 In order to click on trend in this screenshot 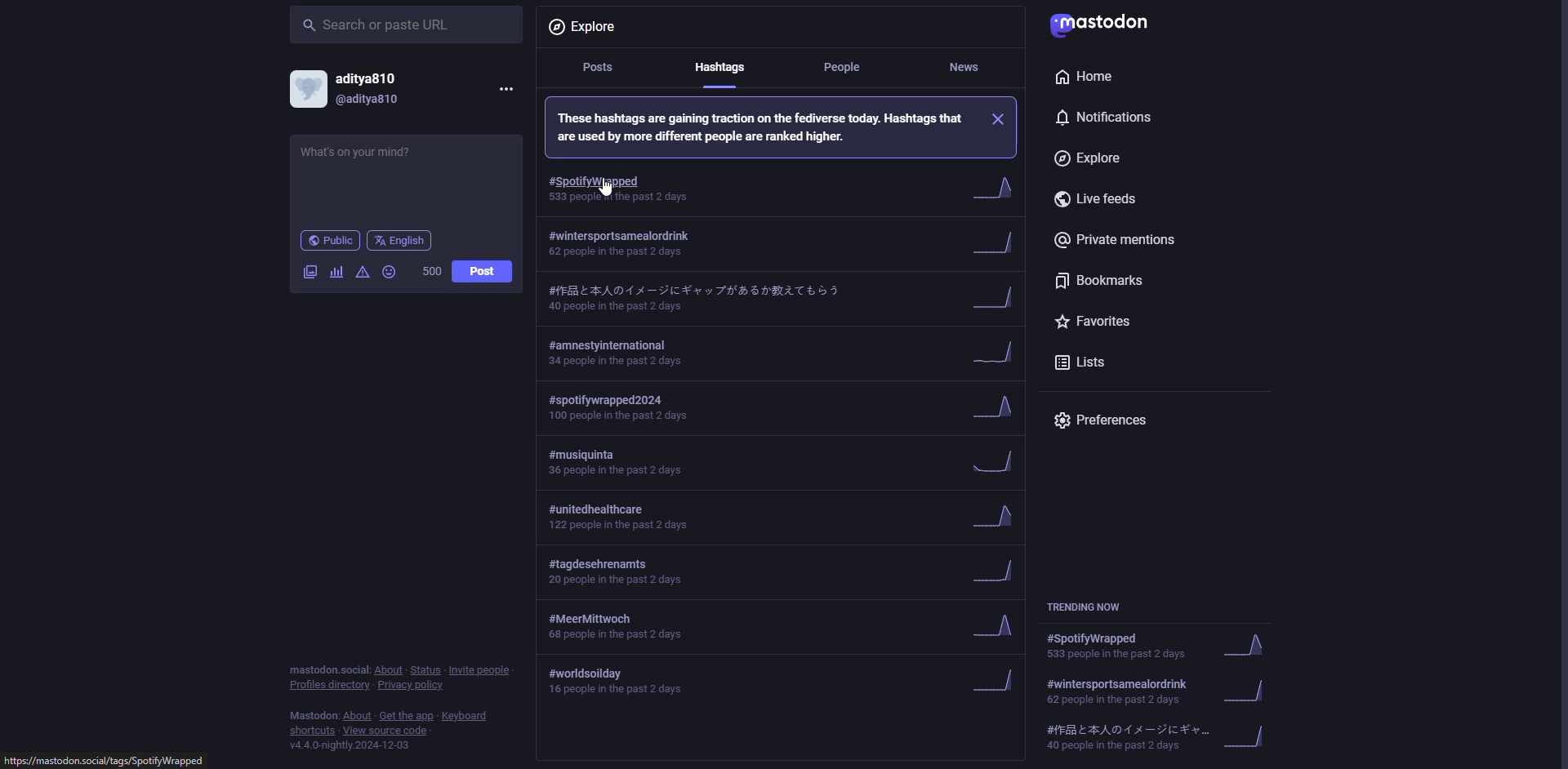, I will do `click(988, 629)`.